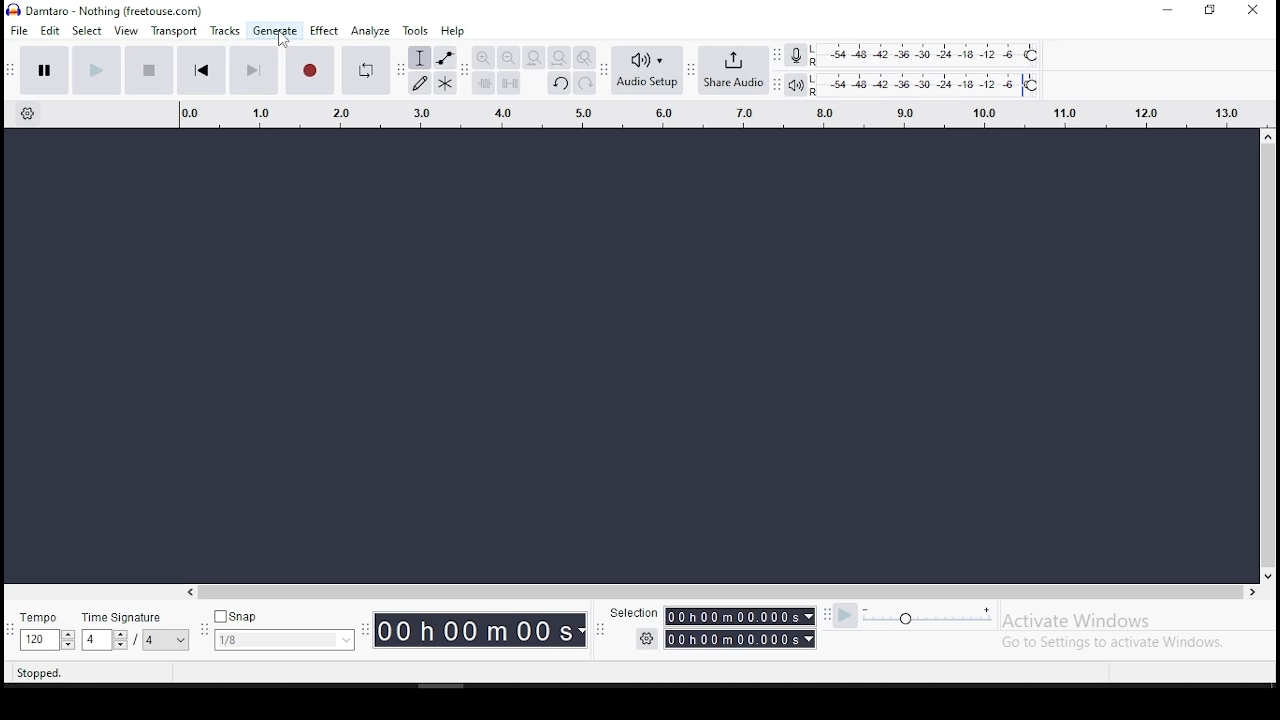  What do you see at coordinates (89, 32) in the screenshot?
I see `select` at bounding box center [89, 32].